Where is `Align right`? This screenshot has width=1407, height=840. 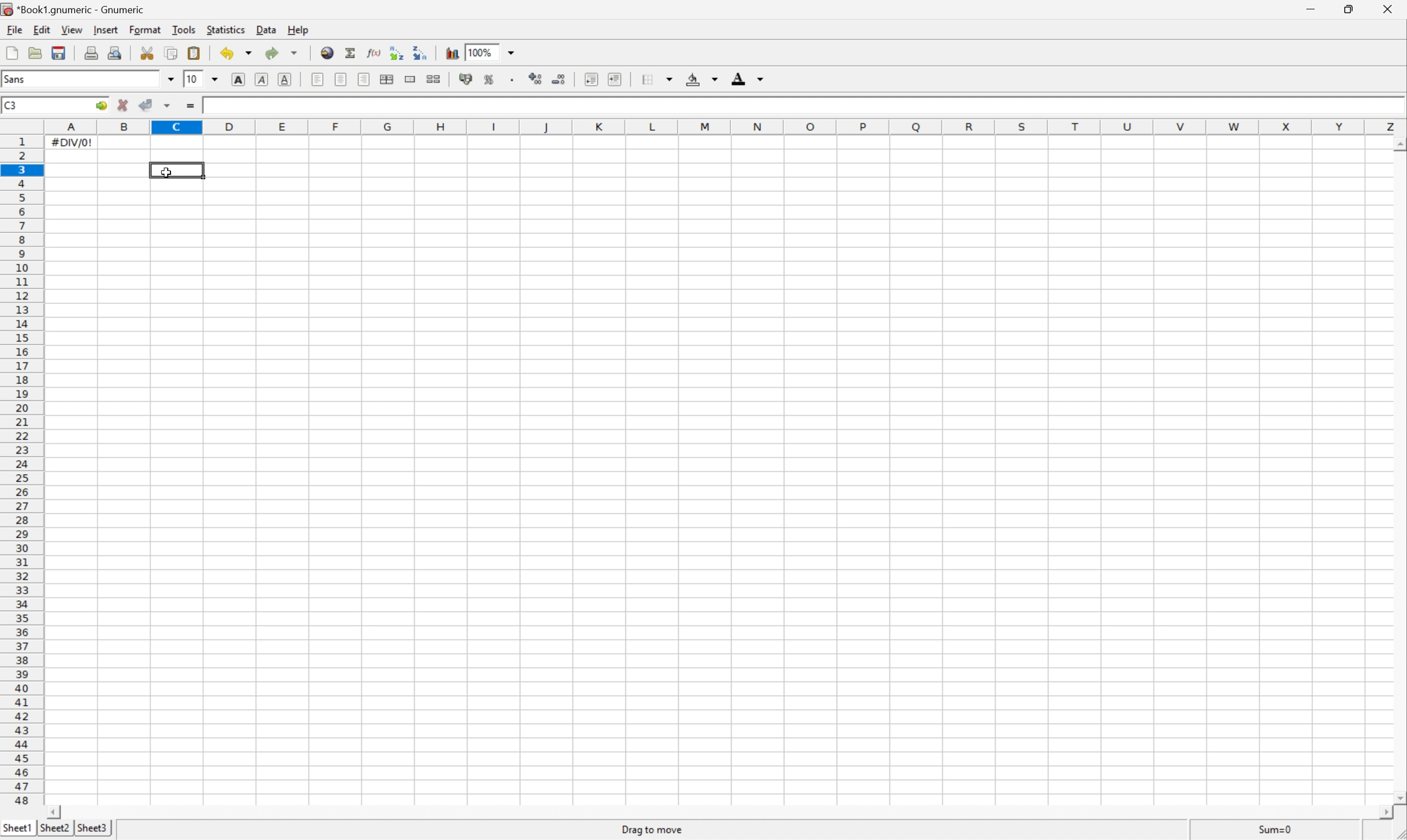 Align right is located at coordinates (366, 79).